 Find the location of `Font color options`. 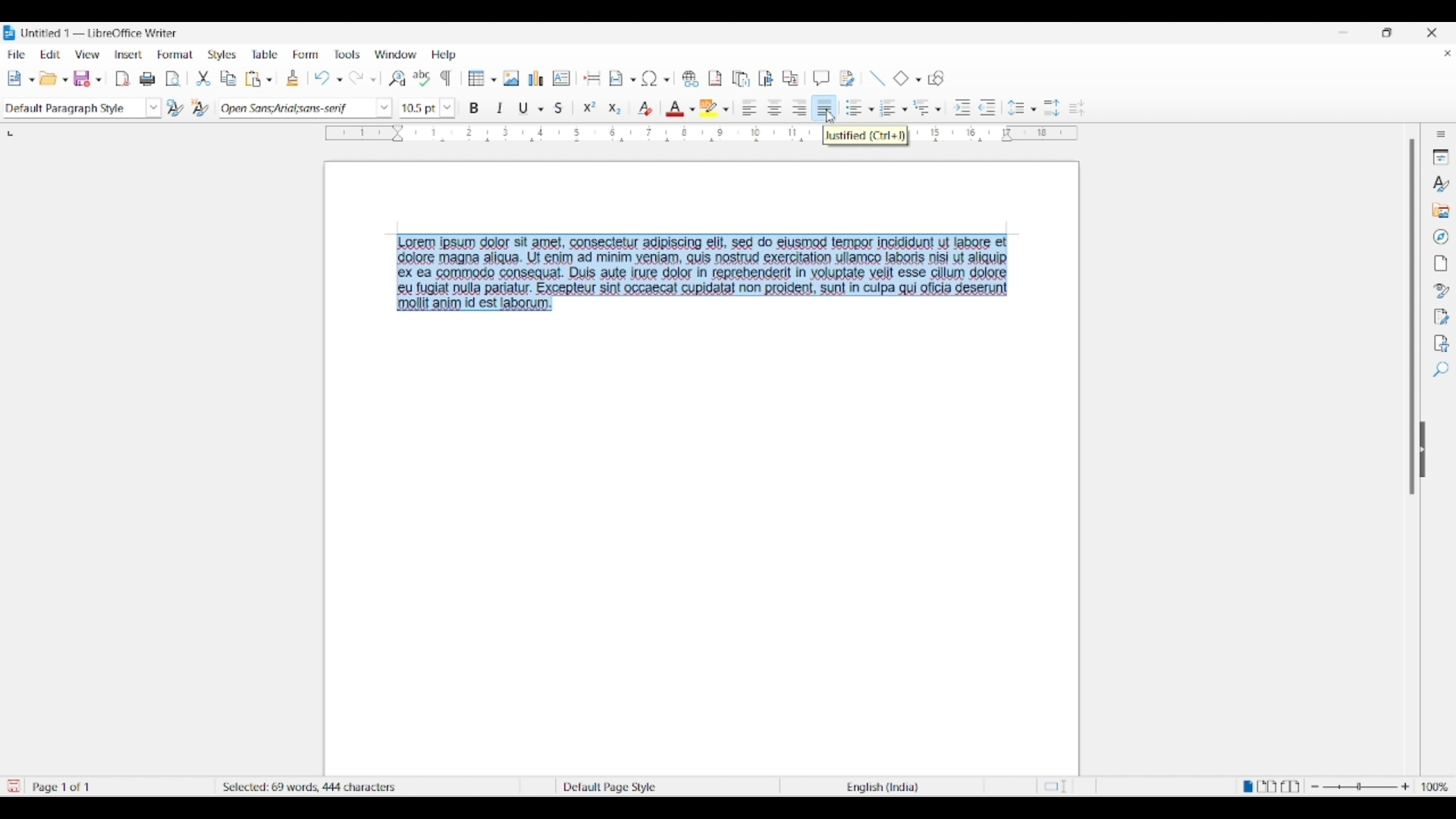

Font color options is located at coordinates (692, 109).